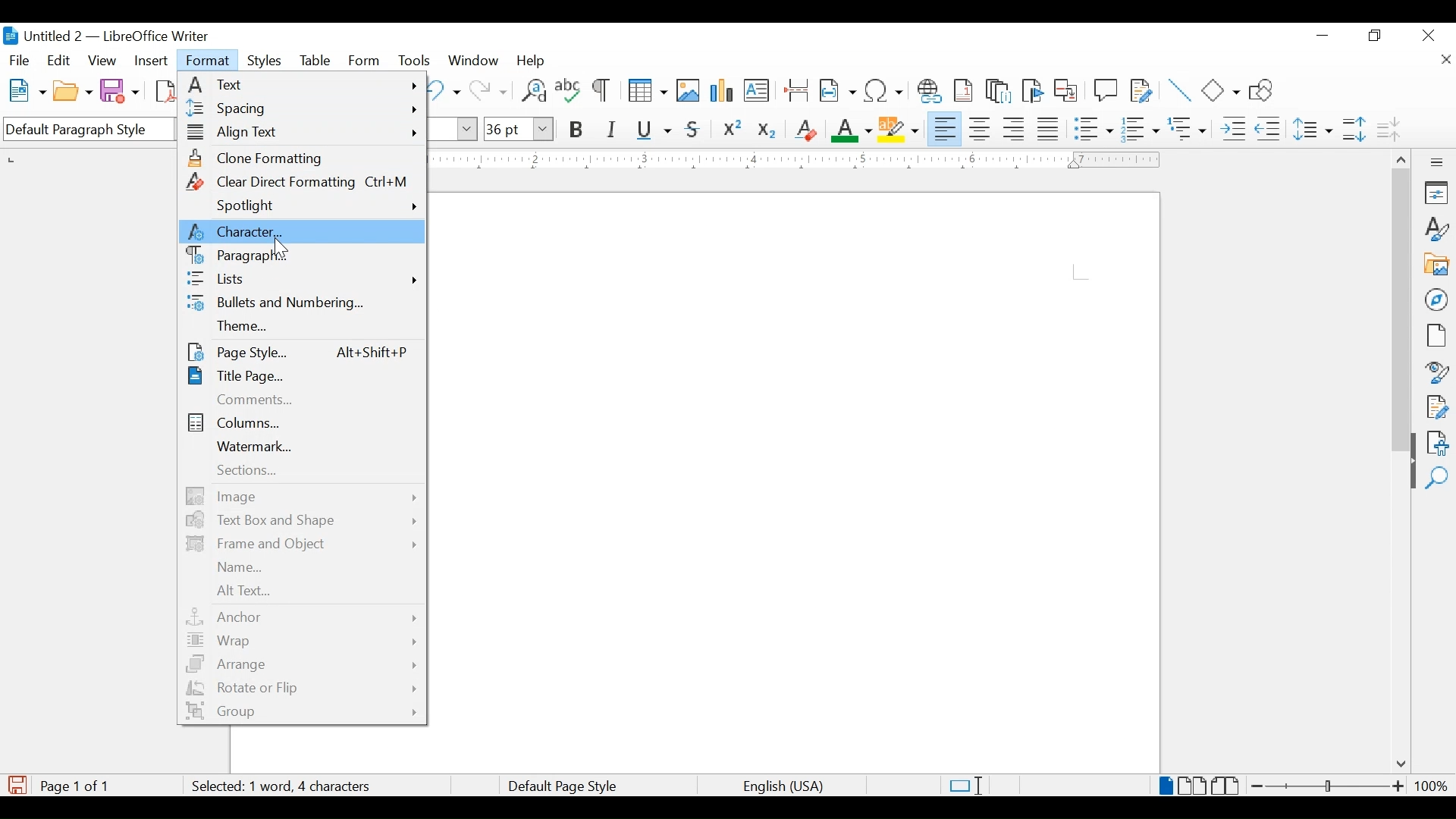 The height and width of the screenshot is (819, 1456). Describe the element at coordinates (301, 278) in the screenshot. I see `lists menu` at that location.